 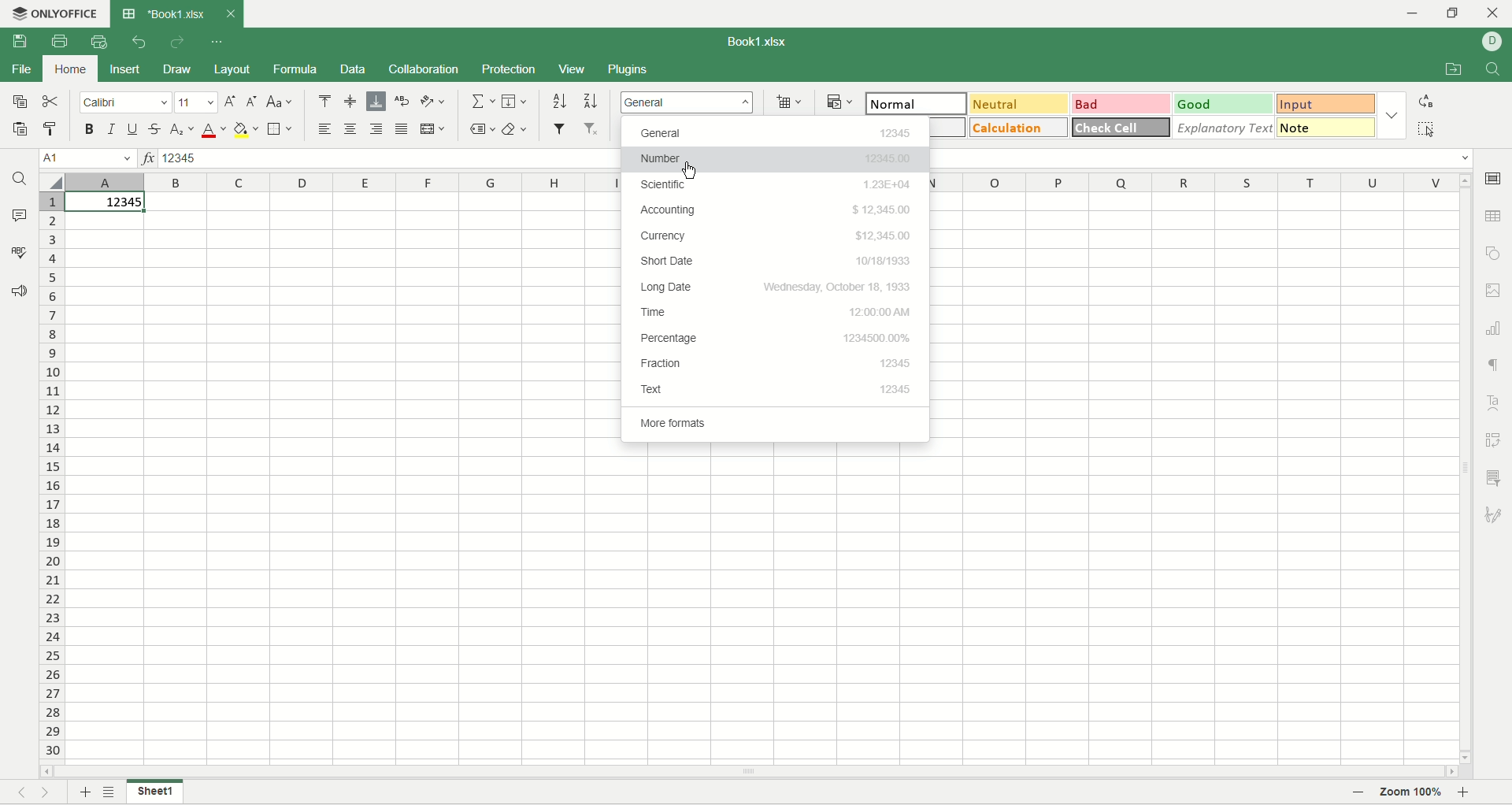 I want to click on decrease font size, so click(x=252, y=104).